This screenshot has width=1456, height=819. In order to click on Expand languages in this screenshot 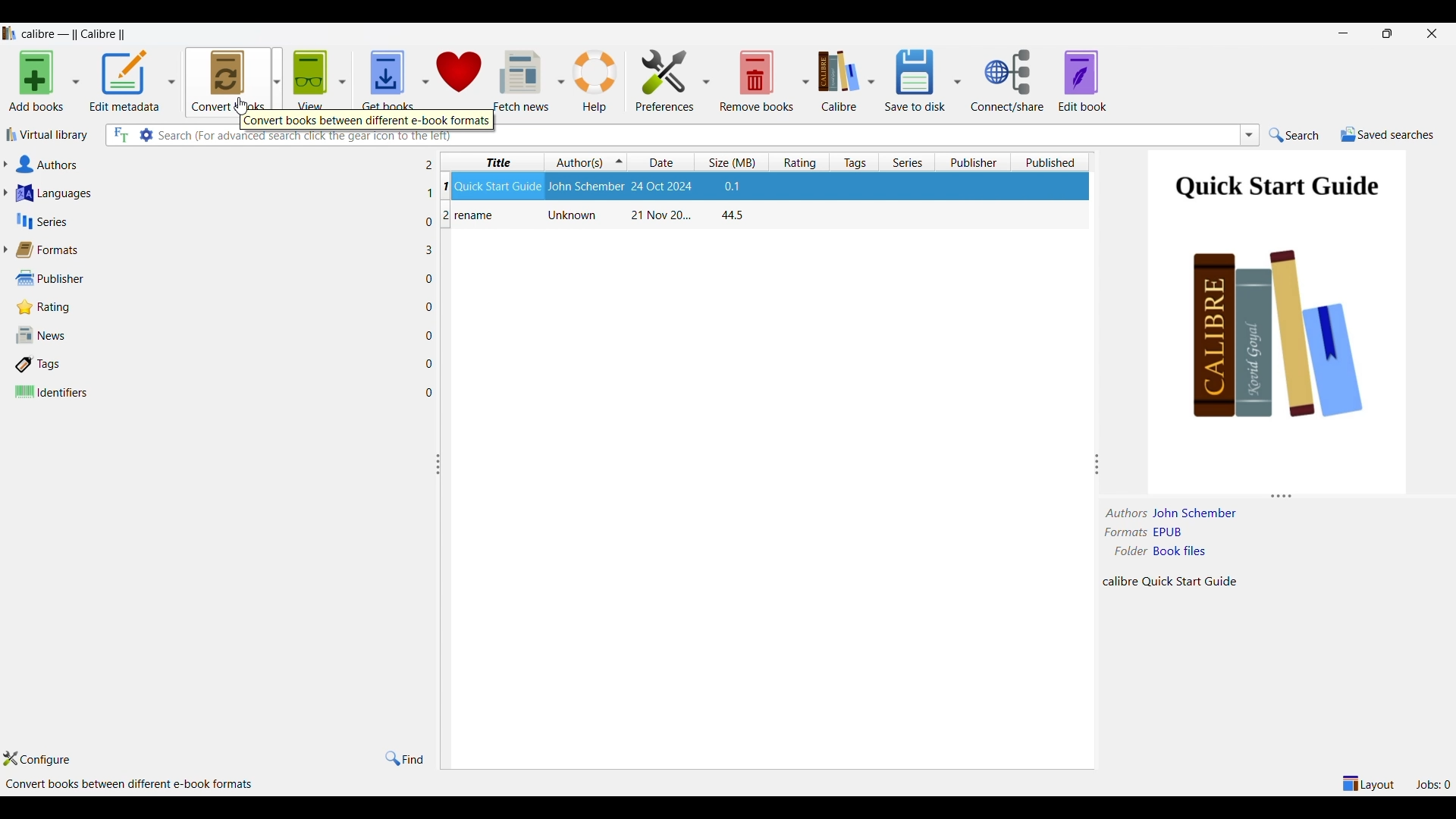, I will do `click(5, 193)`.